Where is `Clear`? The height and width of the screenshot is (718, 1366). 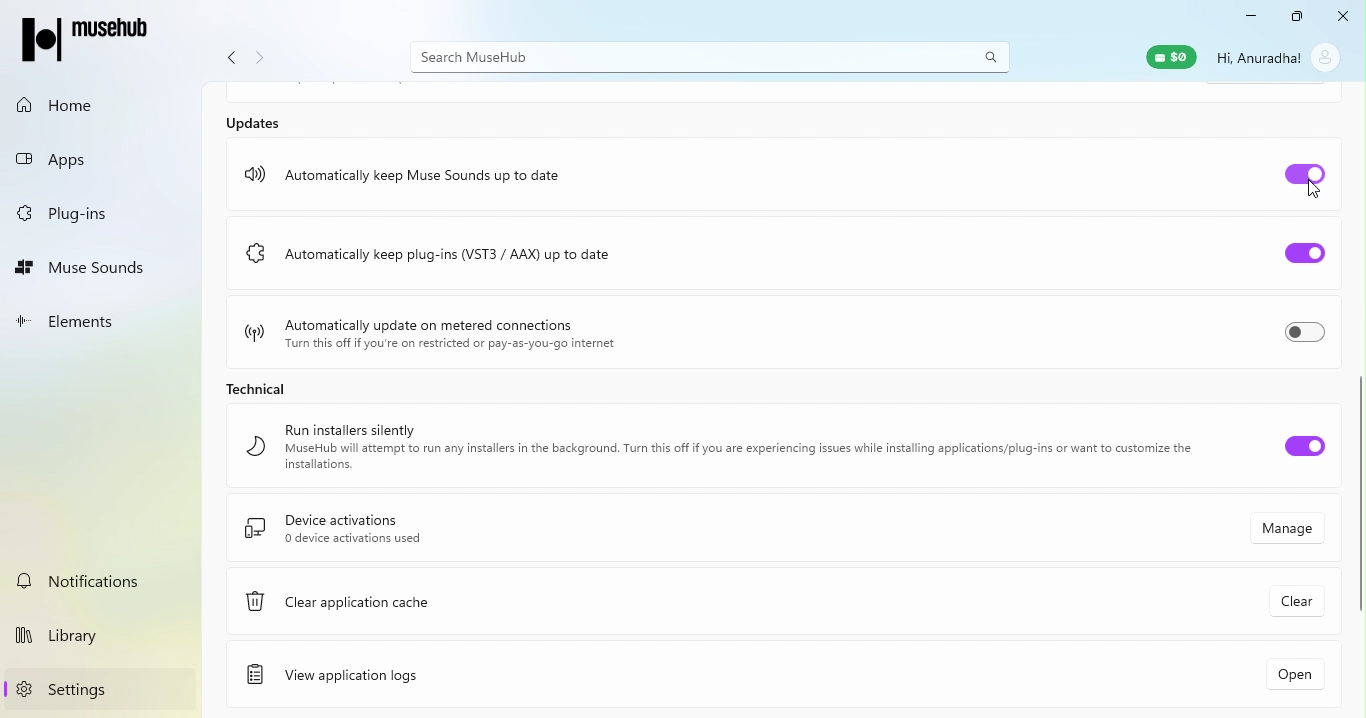
Clear is located at coordinates (1300, 602).